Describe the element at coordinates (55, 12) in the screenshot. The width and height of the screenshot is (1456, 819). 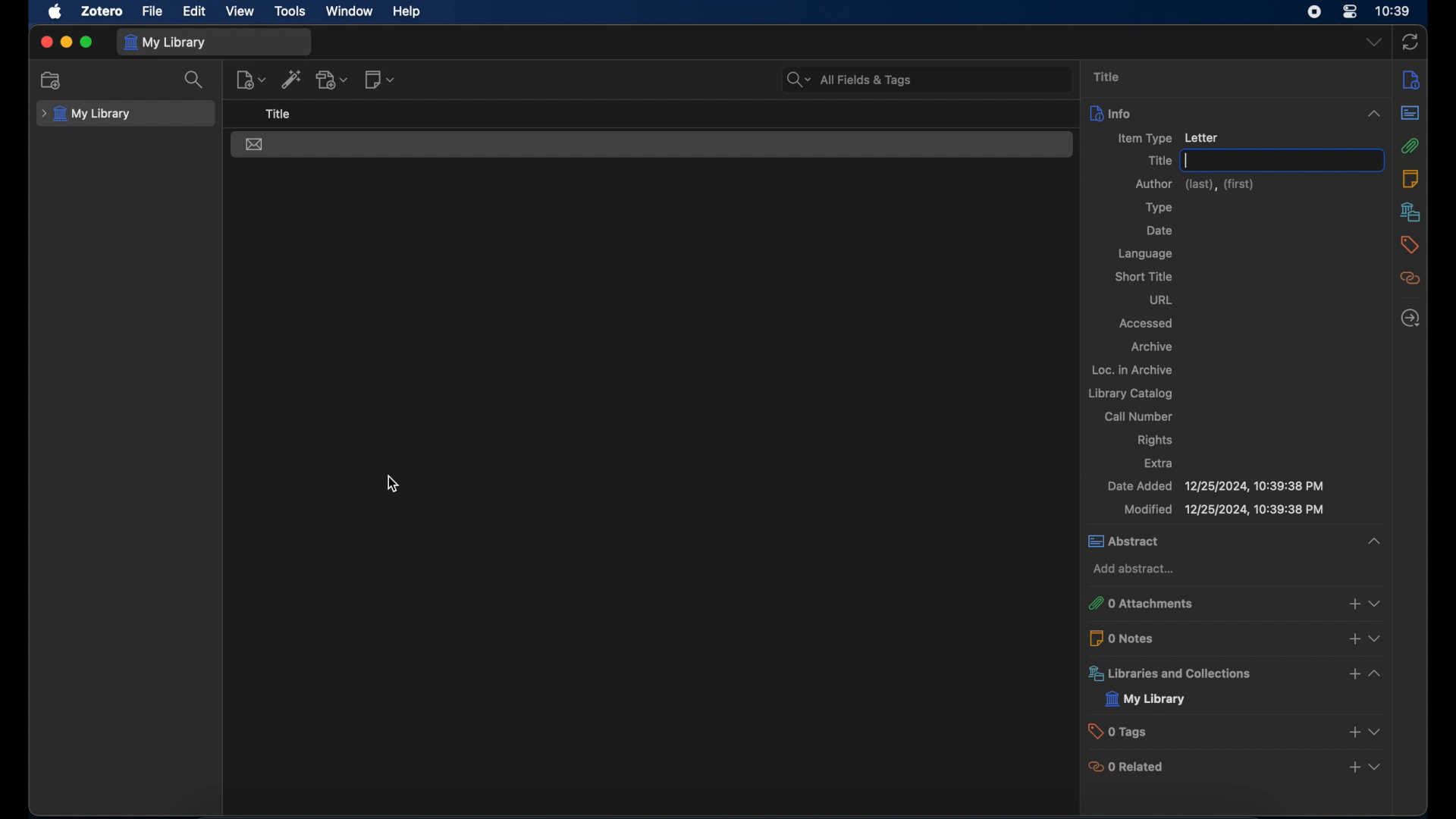
I see `apple` at that location.